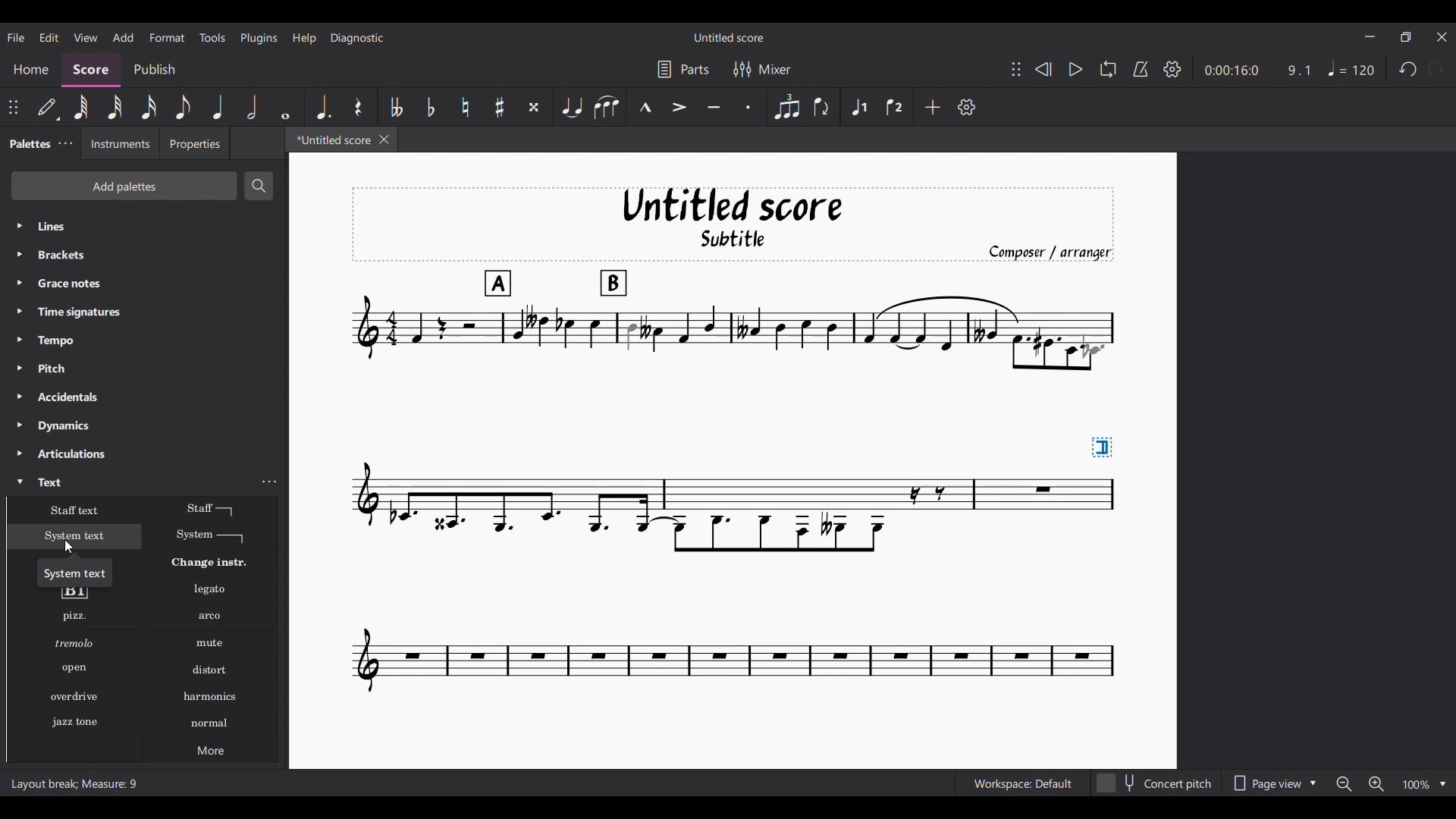 The height and width of the screenshot is (819, 1456). What do you see at coordinates (195, 143) in the screenshot?
I see `Properties` at bounding box center [195, 143].